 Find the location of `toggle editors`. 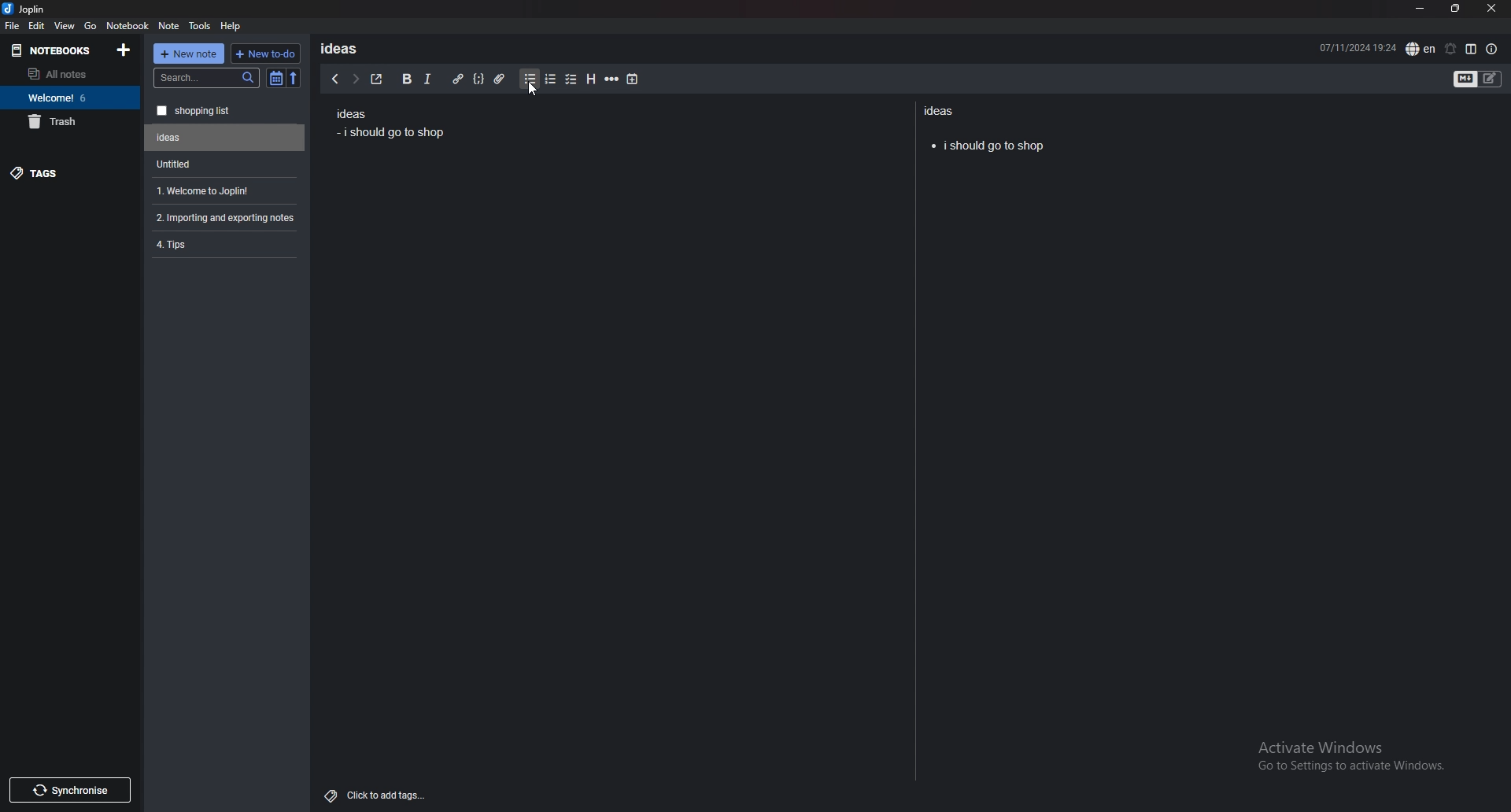

toggle editors is located at coordinates (1478, 80).